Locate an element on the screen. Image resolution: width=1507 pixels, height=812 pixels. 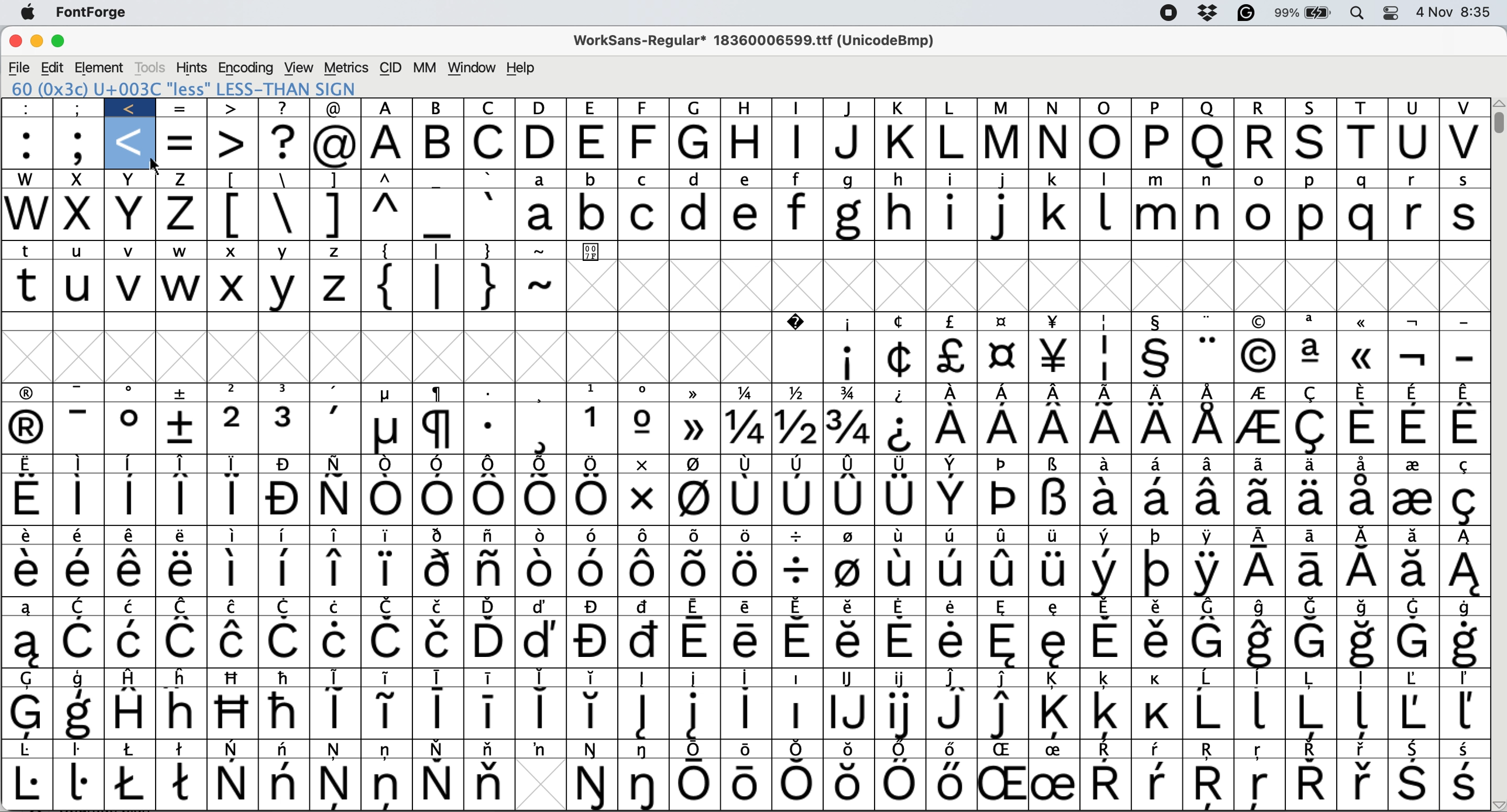
Symbol is located at coordinates (1309, 714).